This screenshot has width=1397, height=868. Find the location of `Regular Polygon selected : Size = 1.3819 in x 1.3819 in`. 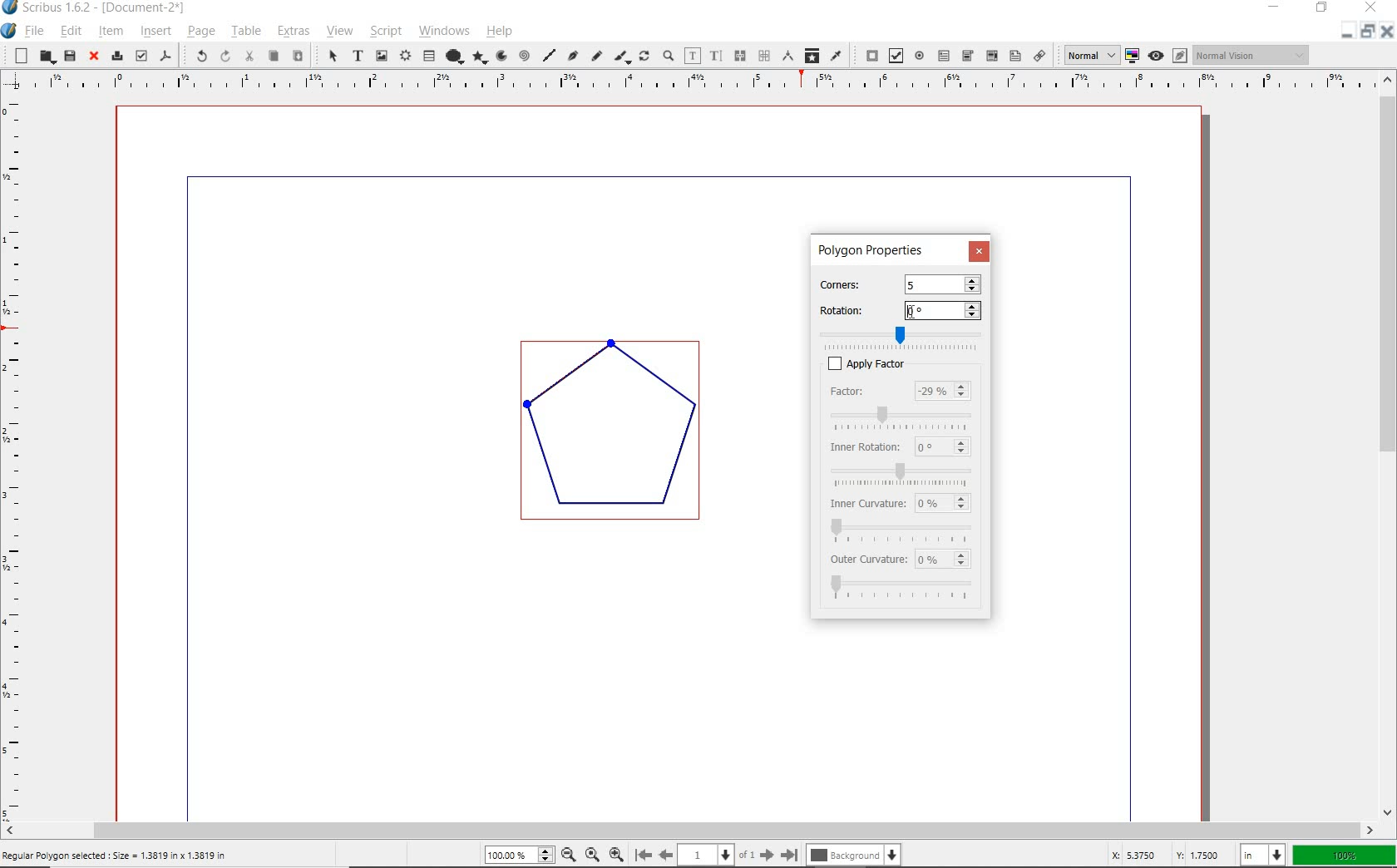

Regular Polygon selected : Size = 1.3819 in x 1.3819 in is located at coordinates (120, 854).